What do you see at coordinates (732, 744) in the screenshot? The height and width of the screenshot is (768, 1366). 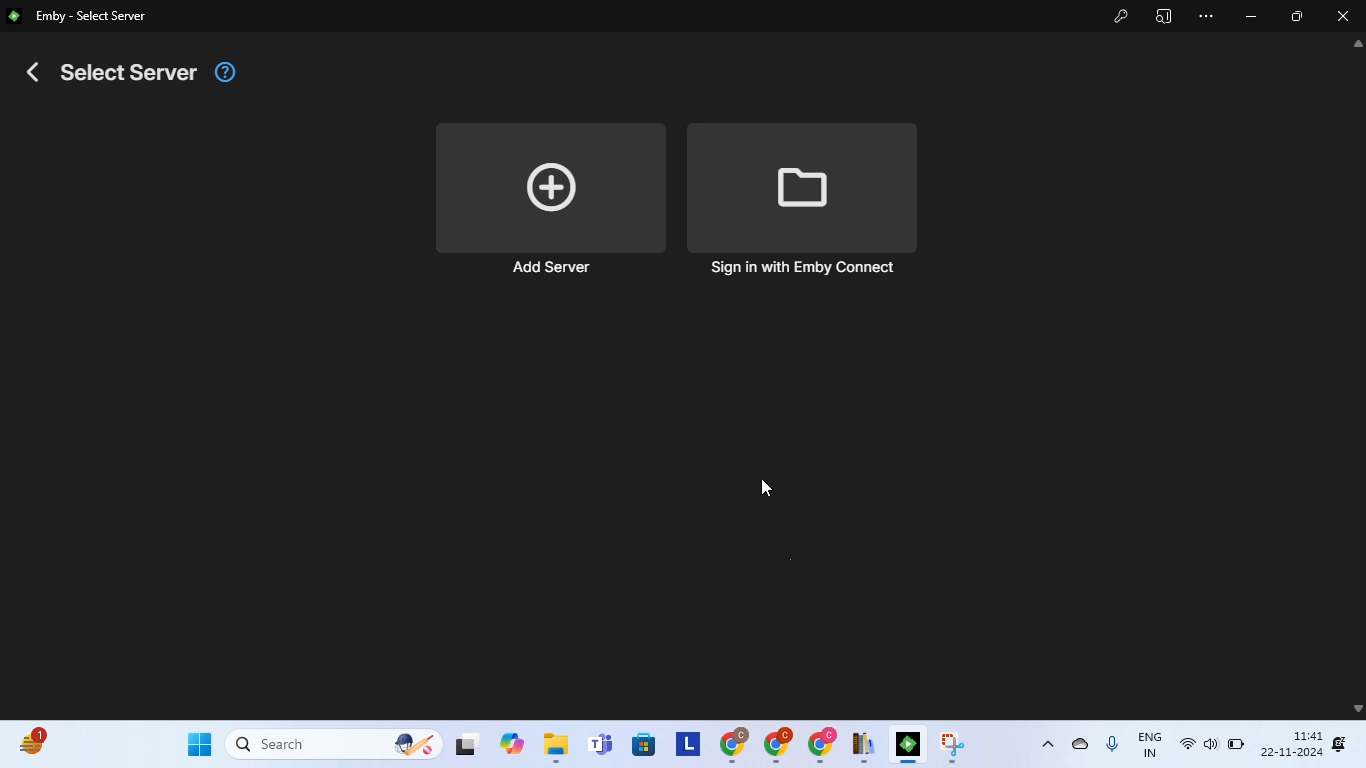 I see `chrome tabs` at bounding box center [732, 744].